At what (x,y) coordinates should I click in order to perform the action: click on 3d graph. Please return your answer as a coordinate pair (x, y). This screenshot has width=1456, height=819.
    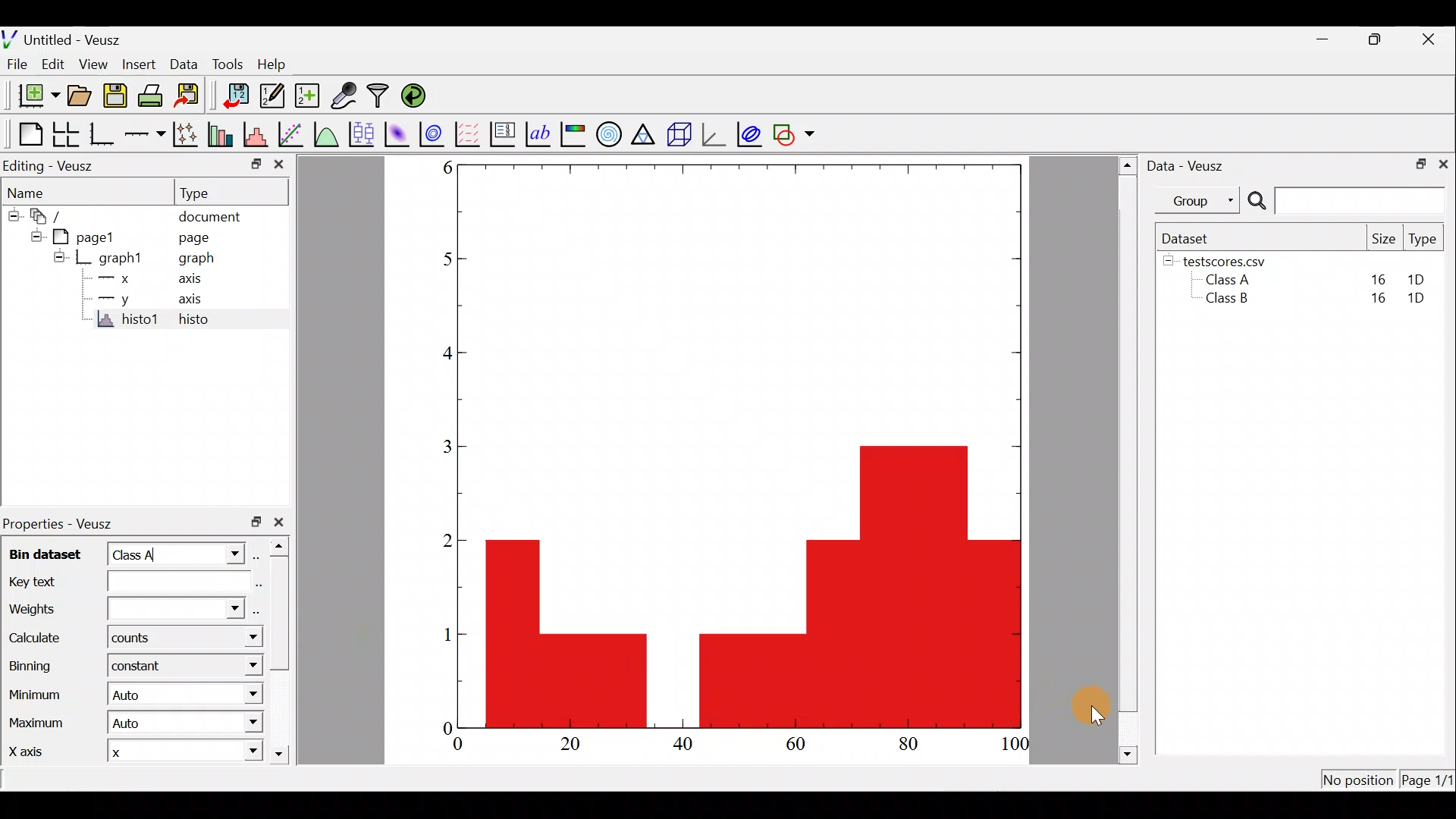
    Looking at the image, I should click on (715, 135).